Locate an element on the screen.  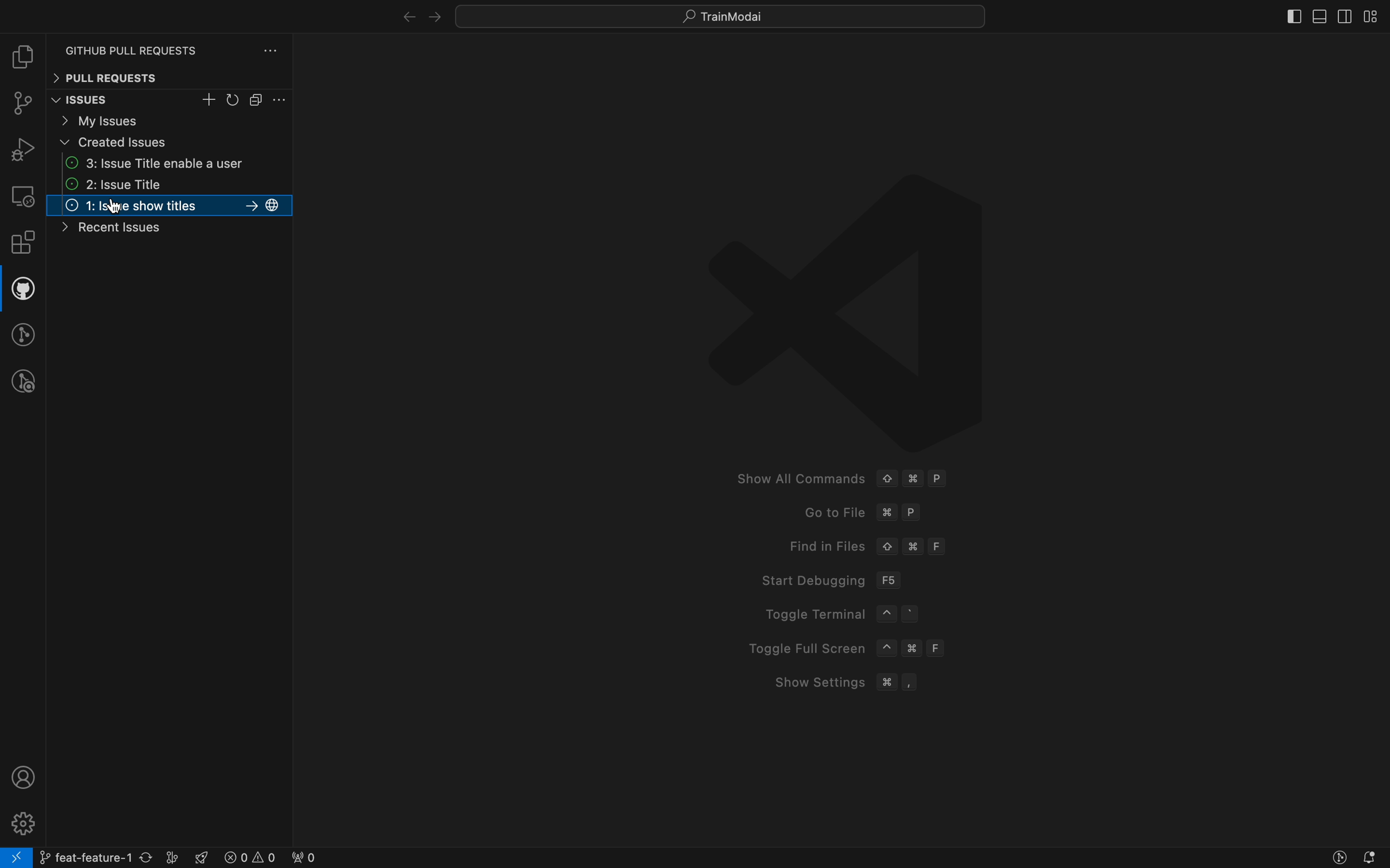
git panel is located at coordinates (24, 105).